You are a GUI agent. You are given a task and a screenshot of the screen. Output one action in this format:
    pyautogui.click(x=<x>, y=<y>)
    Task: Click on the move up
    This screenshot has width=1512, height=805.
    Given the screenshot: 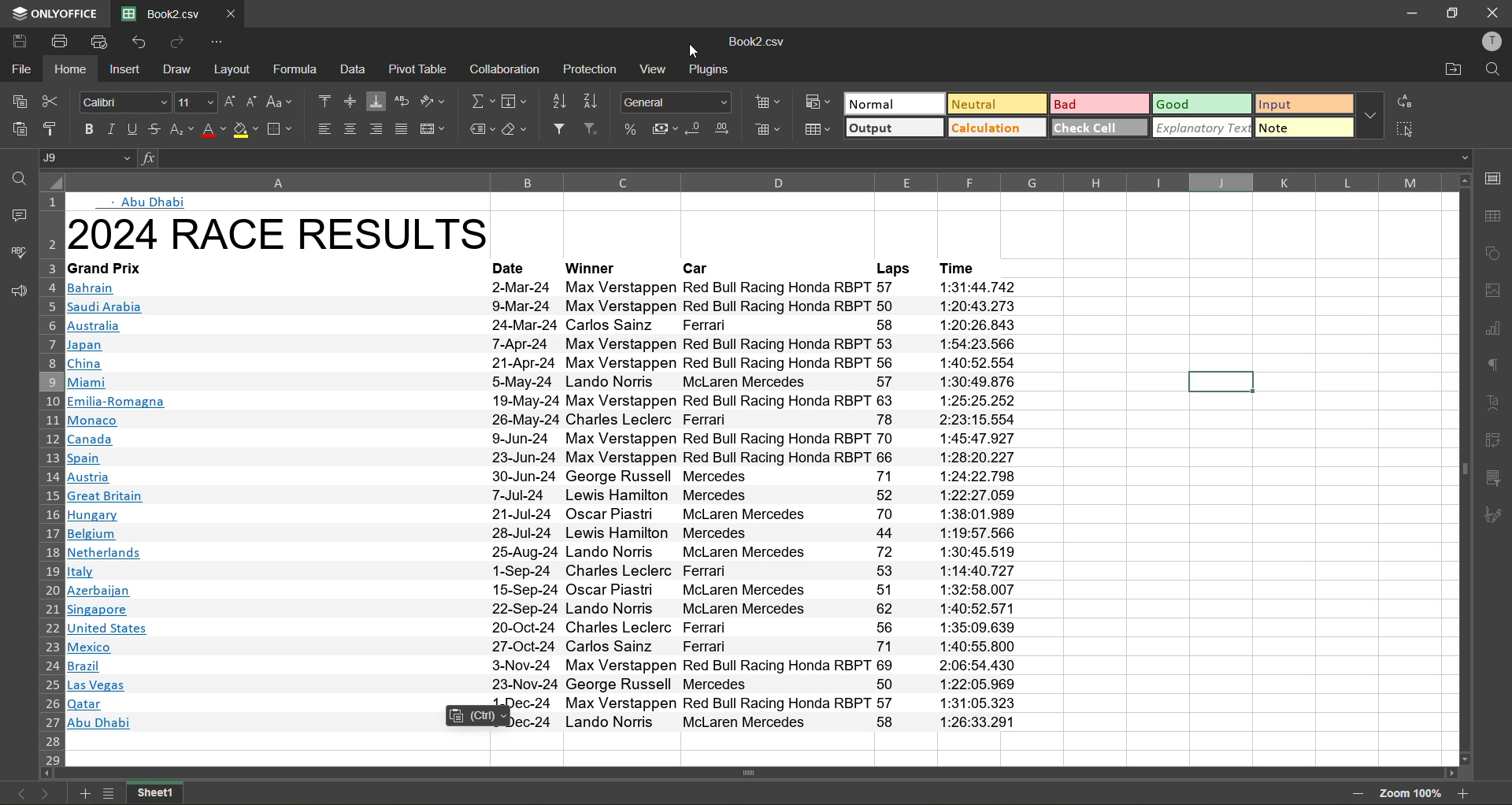 What is the action you would take?
    pyautogui.click(x=1463, y=181)
    